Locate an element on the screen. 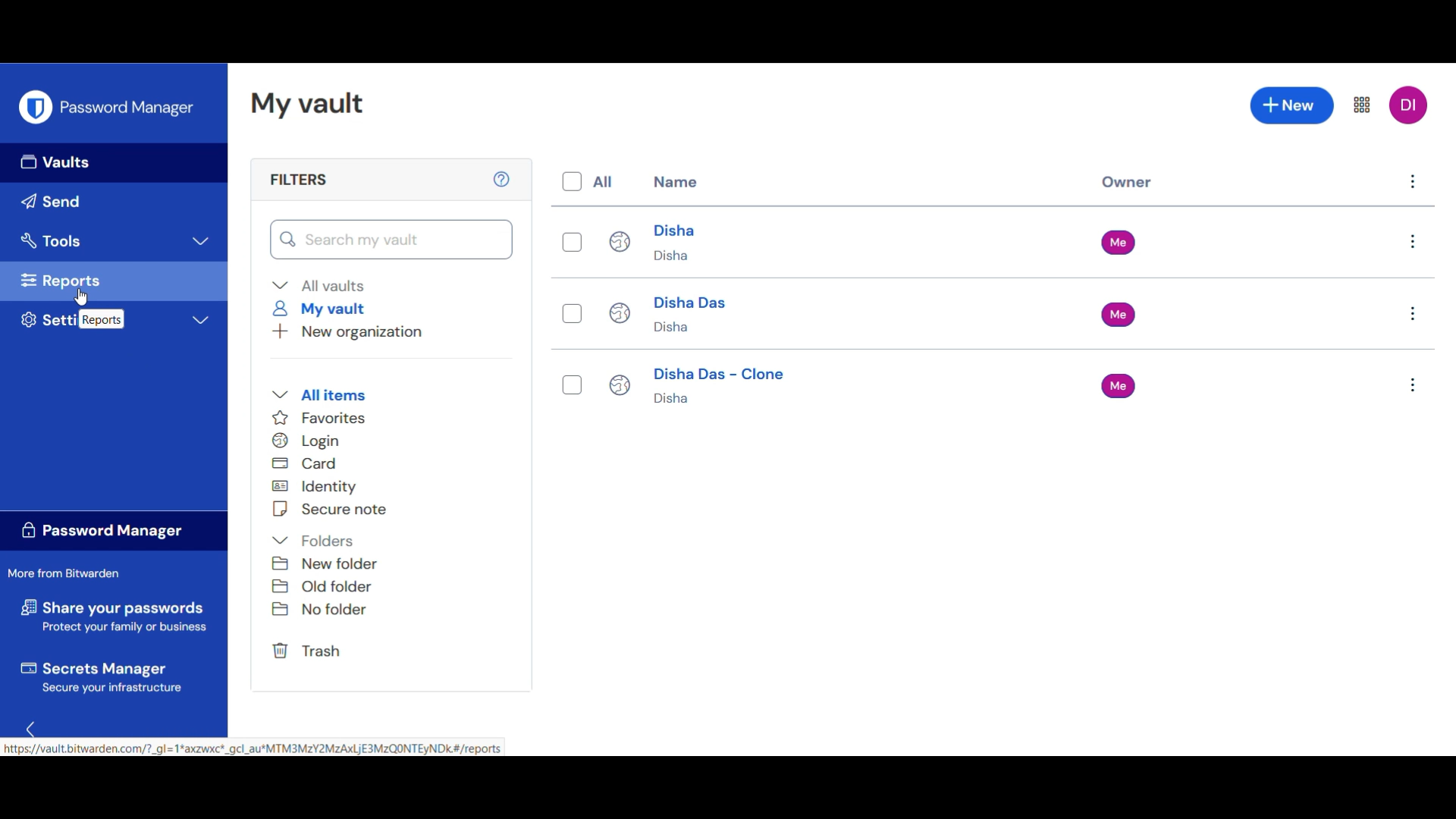 The height and width of the screenshot is (819, 1456). Search box is located at coordinates (391, 239).